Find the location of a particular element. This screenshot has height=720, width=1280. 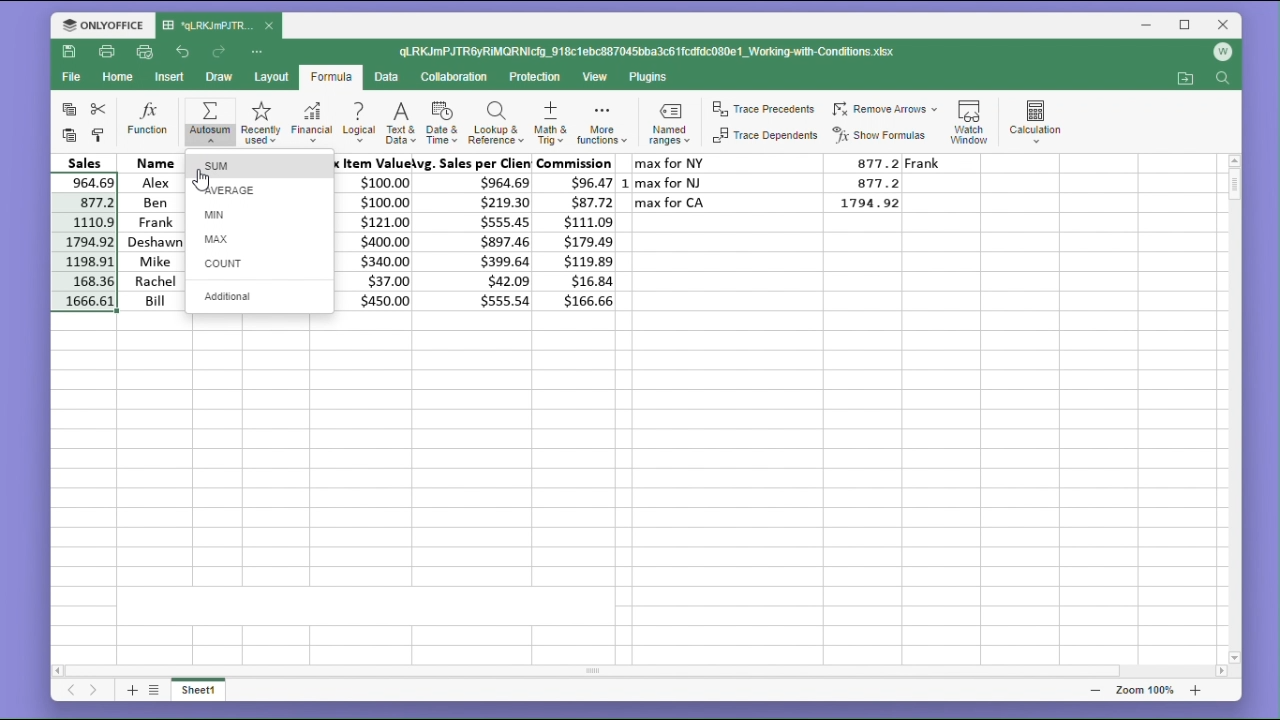

next sheet is located at coordinates (93, 692).